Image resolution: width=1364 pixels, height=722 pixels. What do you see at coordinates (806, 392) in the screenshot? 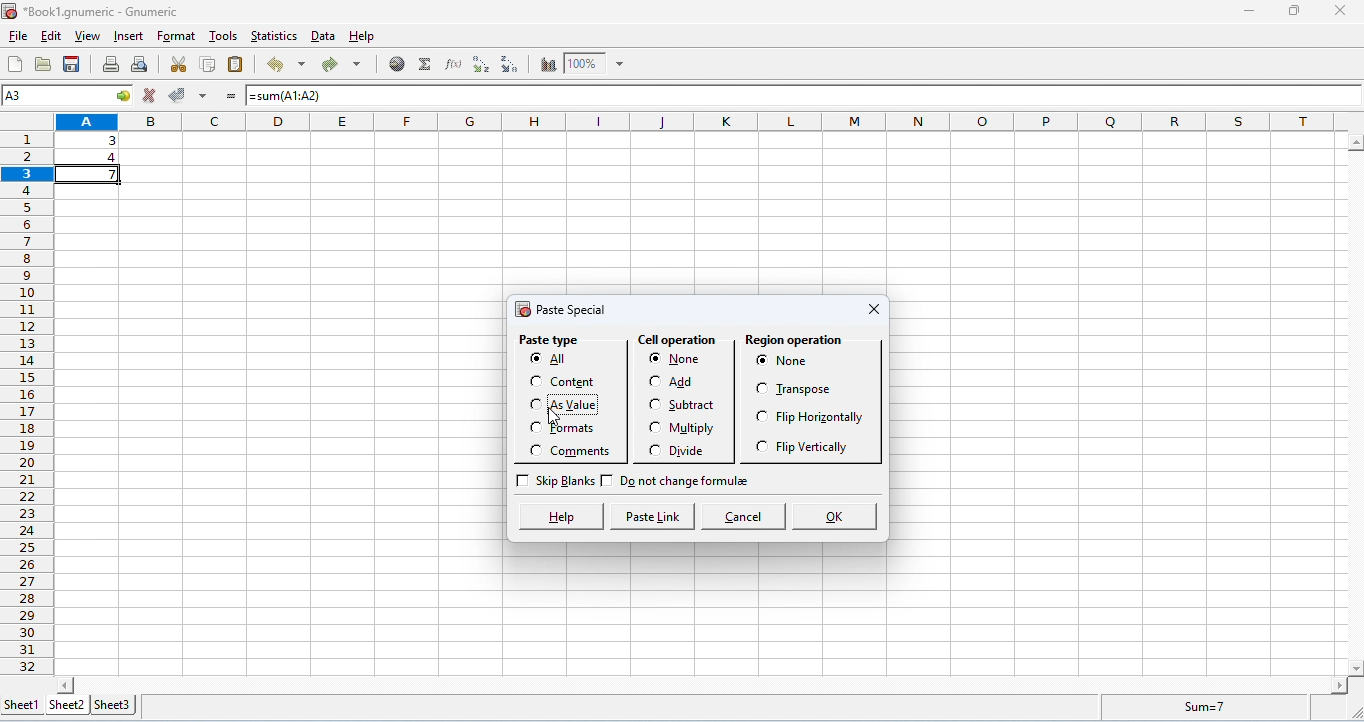
I see `transpose` at bounding box center [806, 392].